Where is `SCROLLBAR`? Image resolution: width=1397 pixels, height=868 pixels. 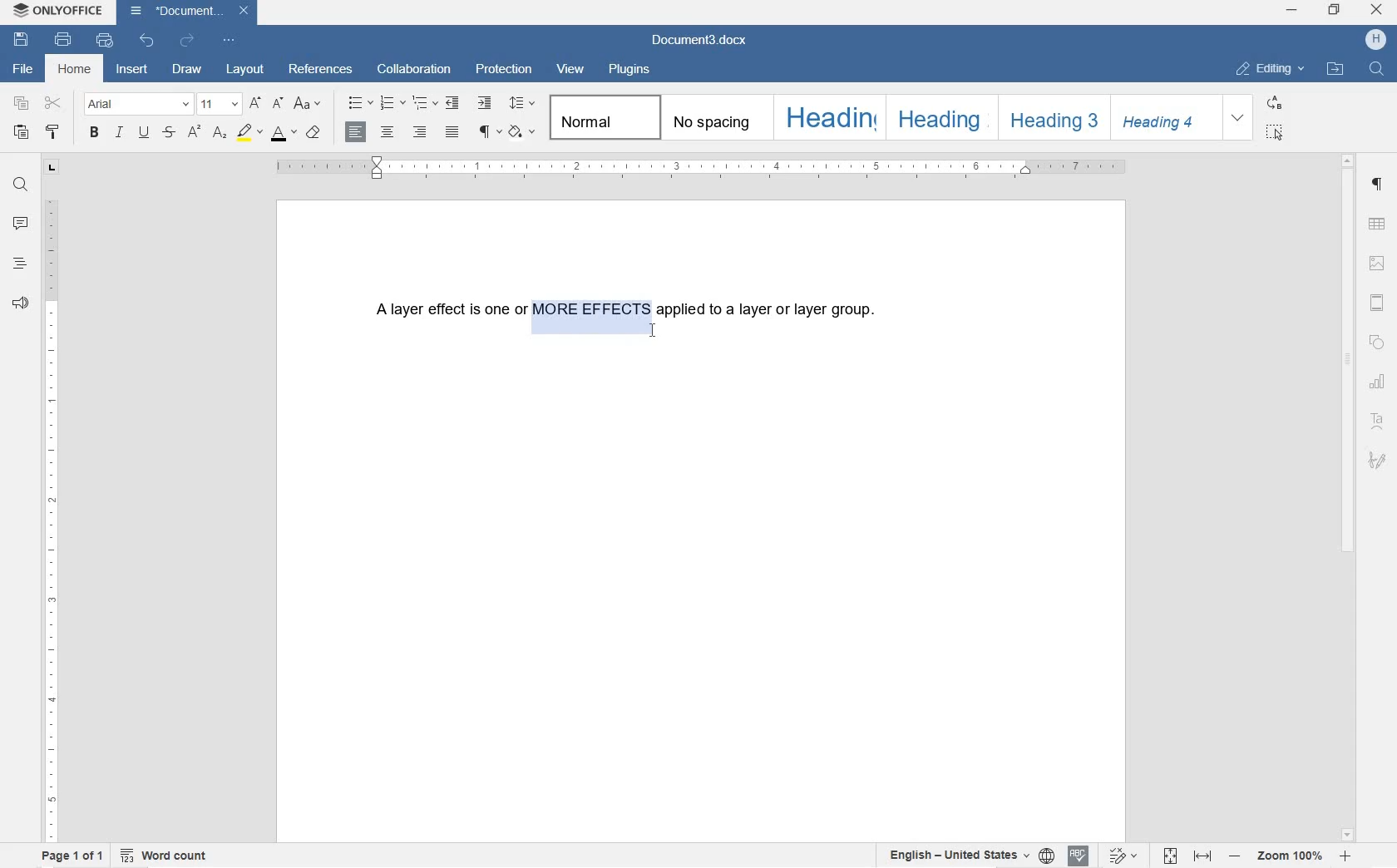 SCROLLBAR is located at coordinates (1348, 497).